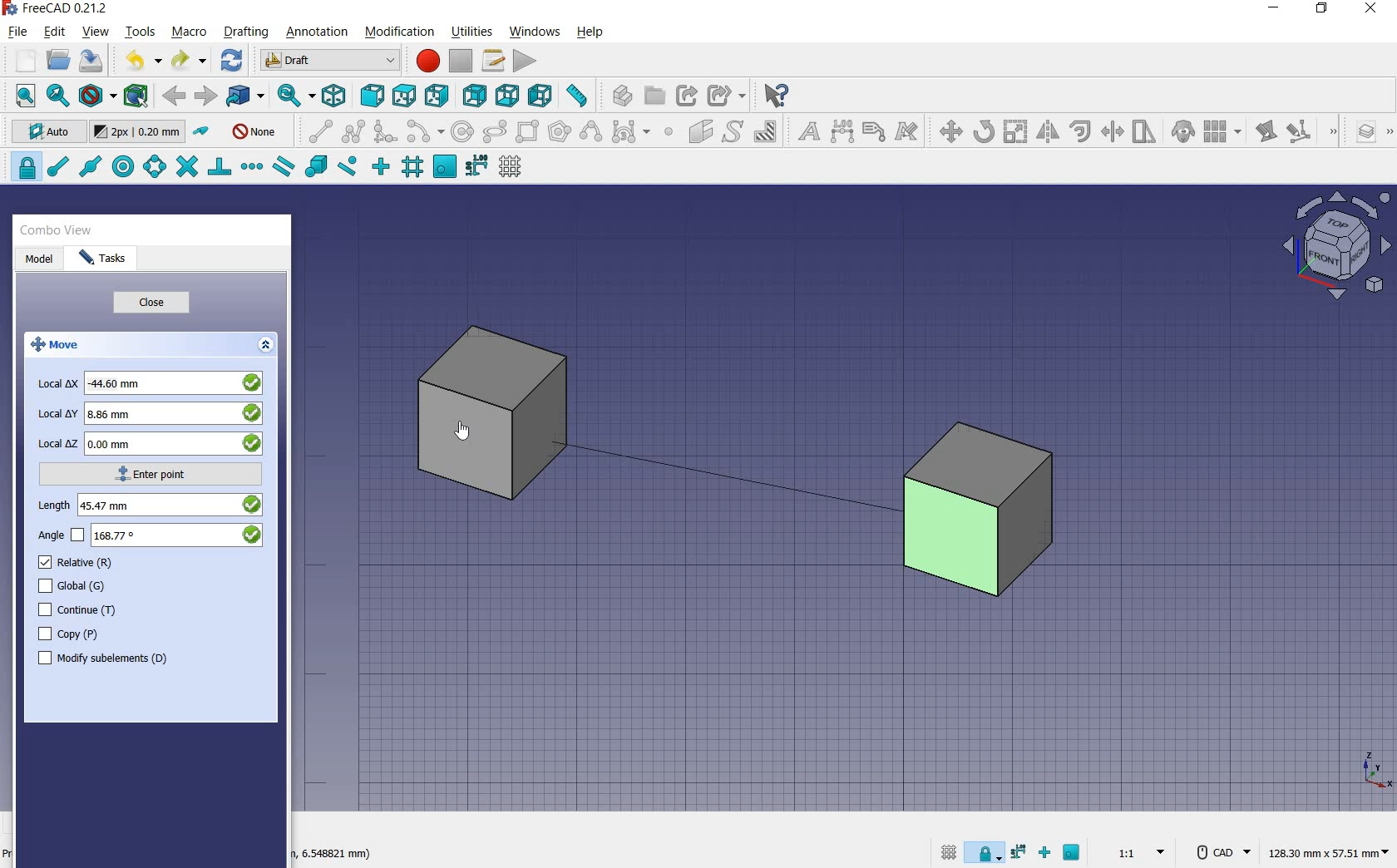 This screenshot has width=1397, height=868. What do you see at coordinates (843, 131) in the screenshot?
I see `dimension` at bounding box center [843, 131].